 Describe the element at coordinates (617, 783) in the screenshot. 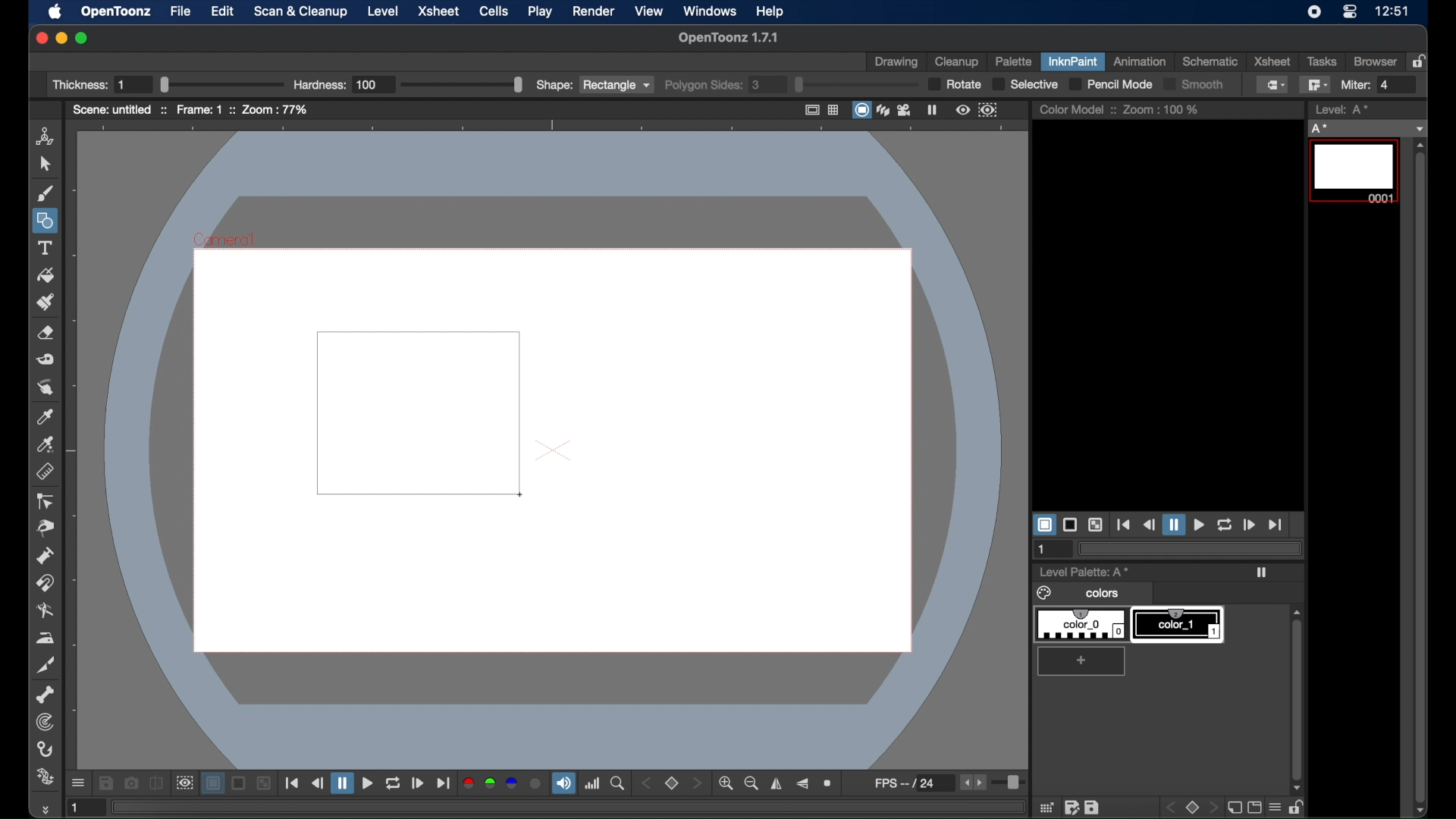

I see `locator` at that location.